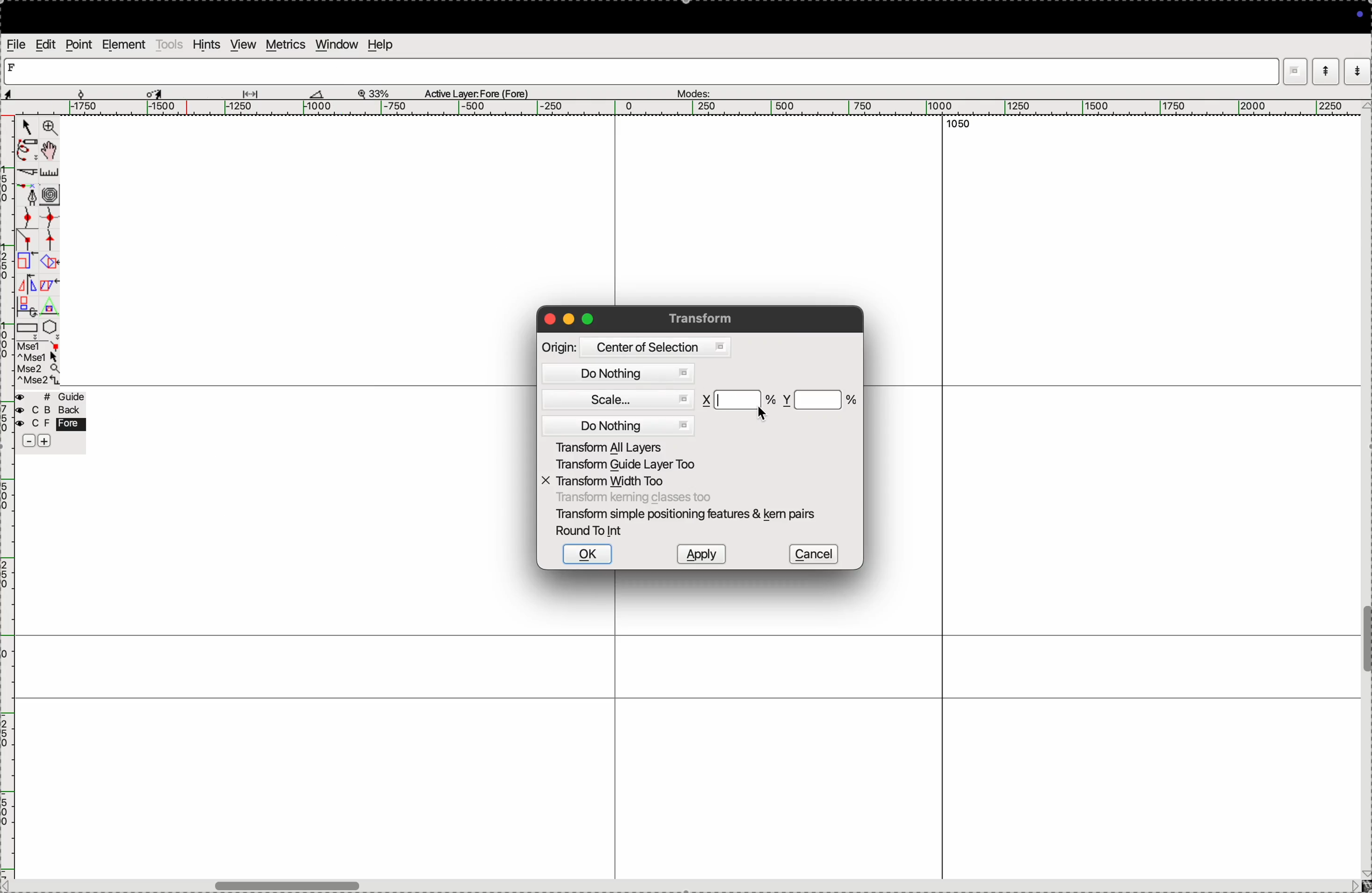  What do you see at coordinates (624, 446) in the screenshot?
I see `transform all yares` at bounding box center [624, 446].